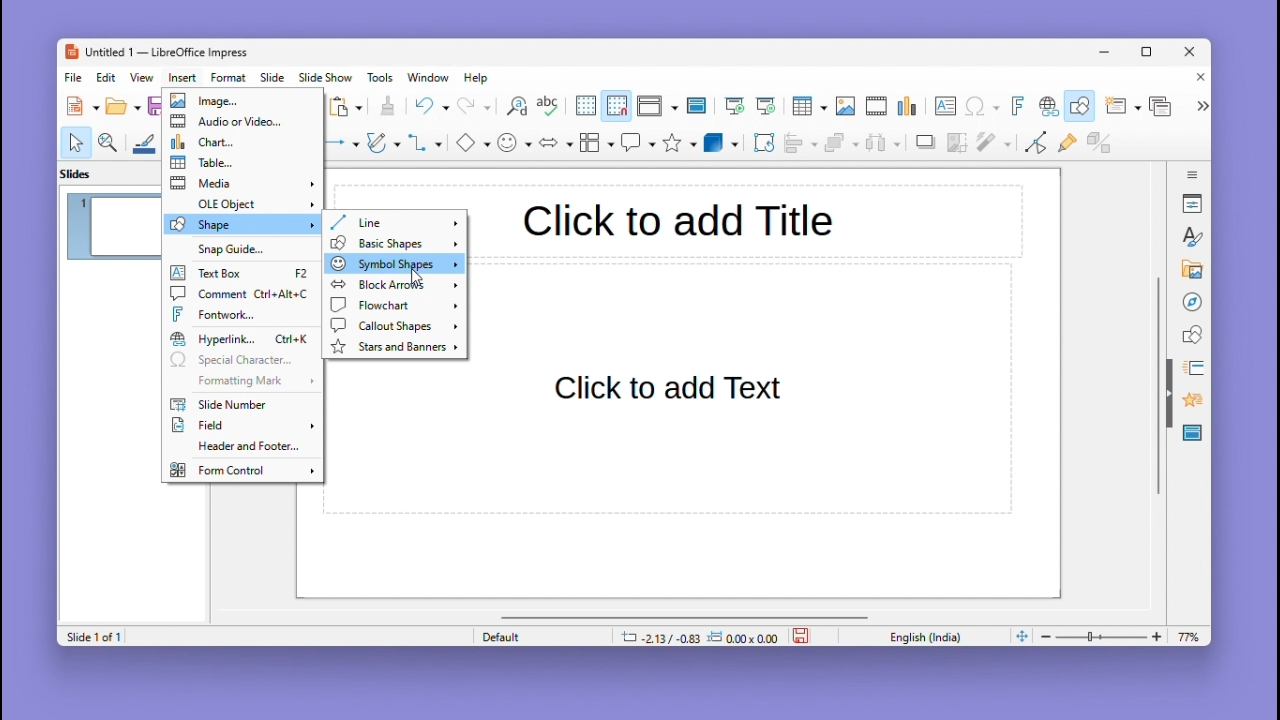 This screenshot has width=1280, height=720. What do you see at coordinates (1107, 51) in the screenshot?
I see `Minimise` at bounding box center [1107, 51].